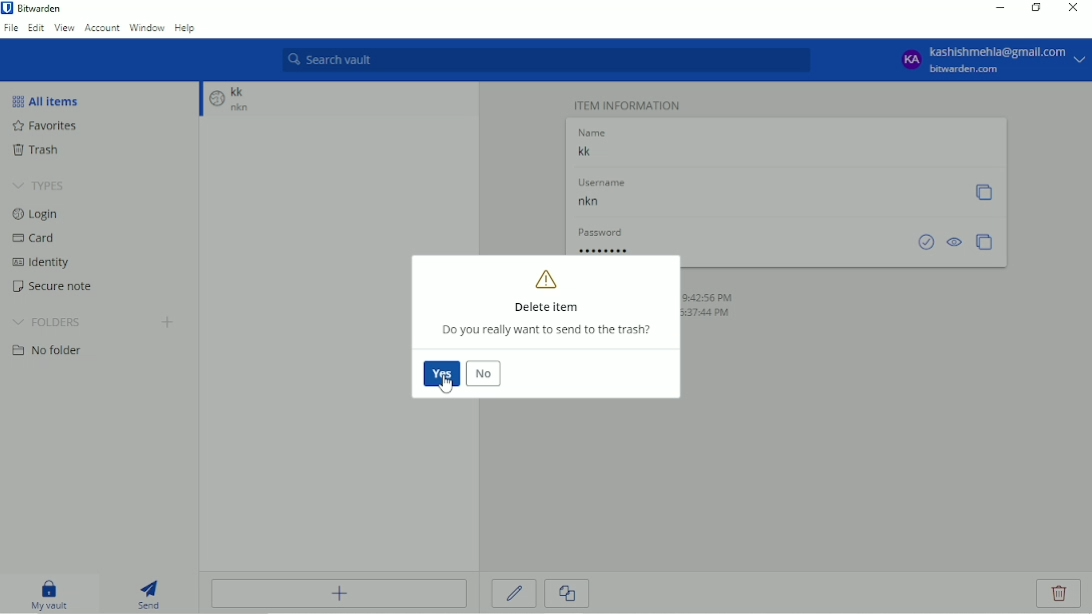 The image size is (1092, 614). I want to click on Card, so click(35, 238).